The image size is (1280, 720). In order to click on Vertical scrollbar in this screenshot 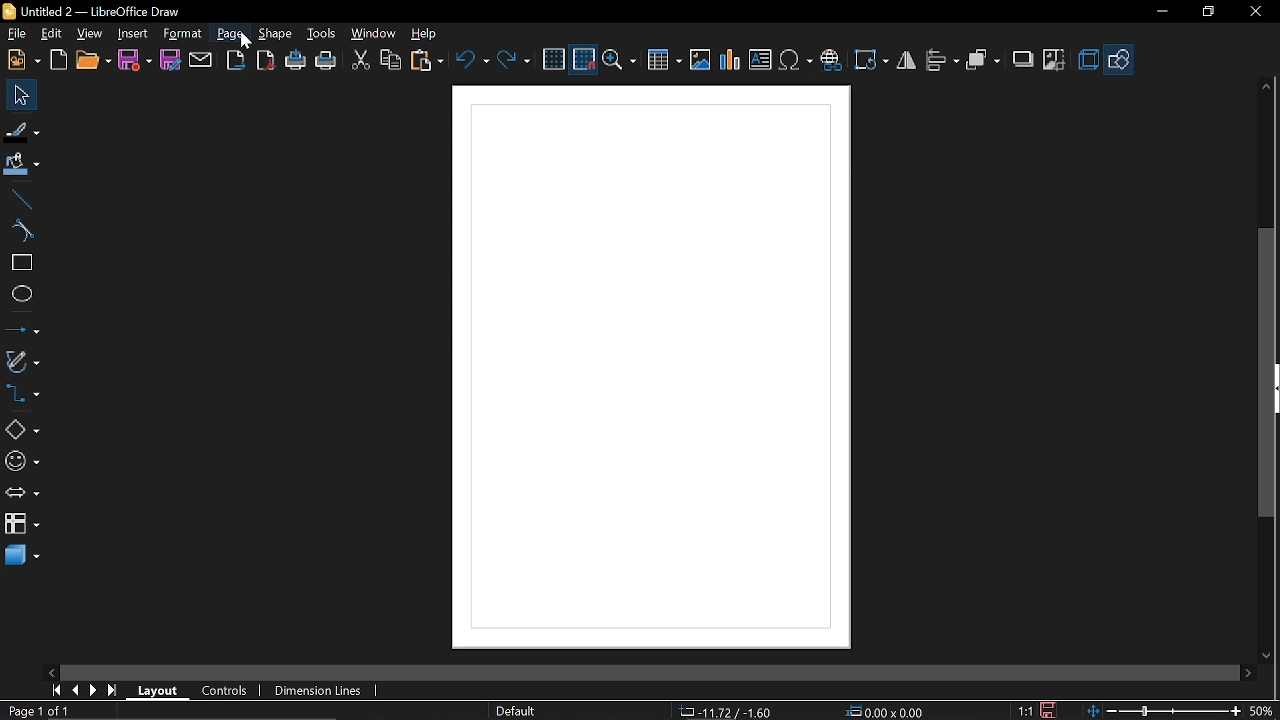, I will do `click(1271, 373)`.